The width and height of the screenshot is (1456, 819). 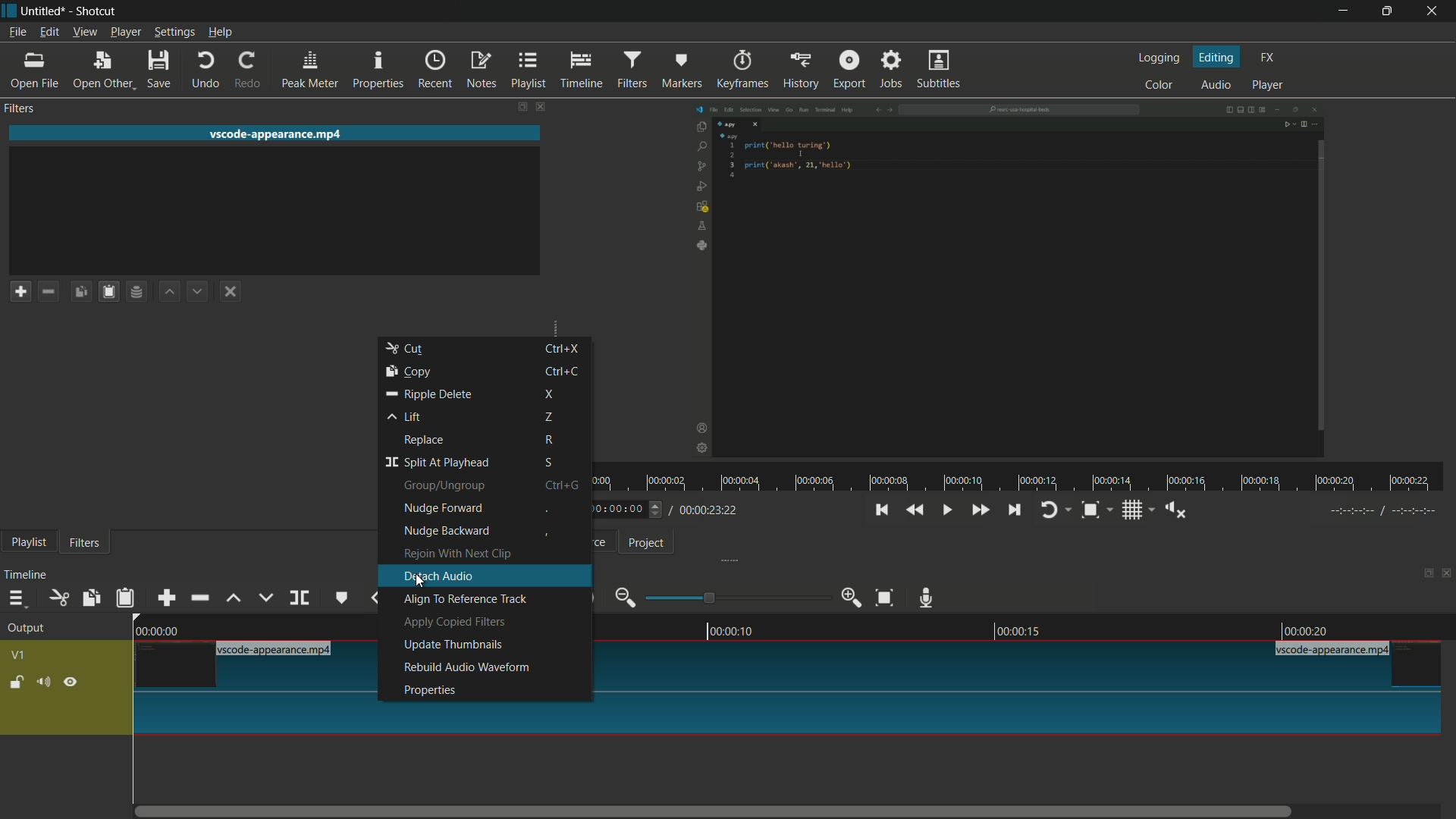 What do you see at coordinates (457, 554) in the screenshot?
I see `rejoin with next clip` at bounding box center [457, 554].